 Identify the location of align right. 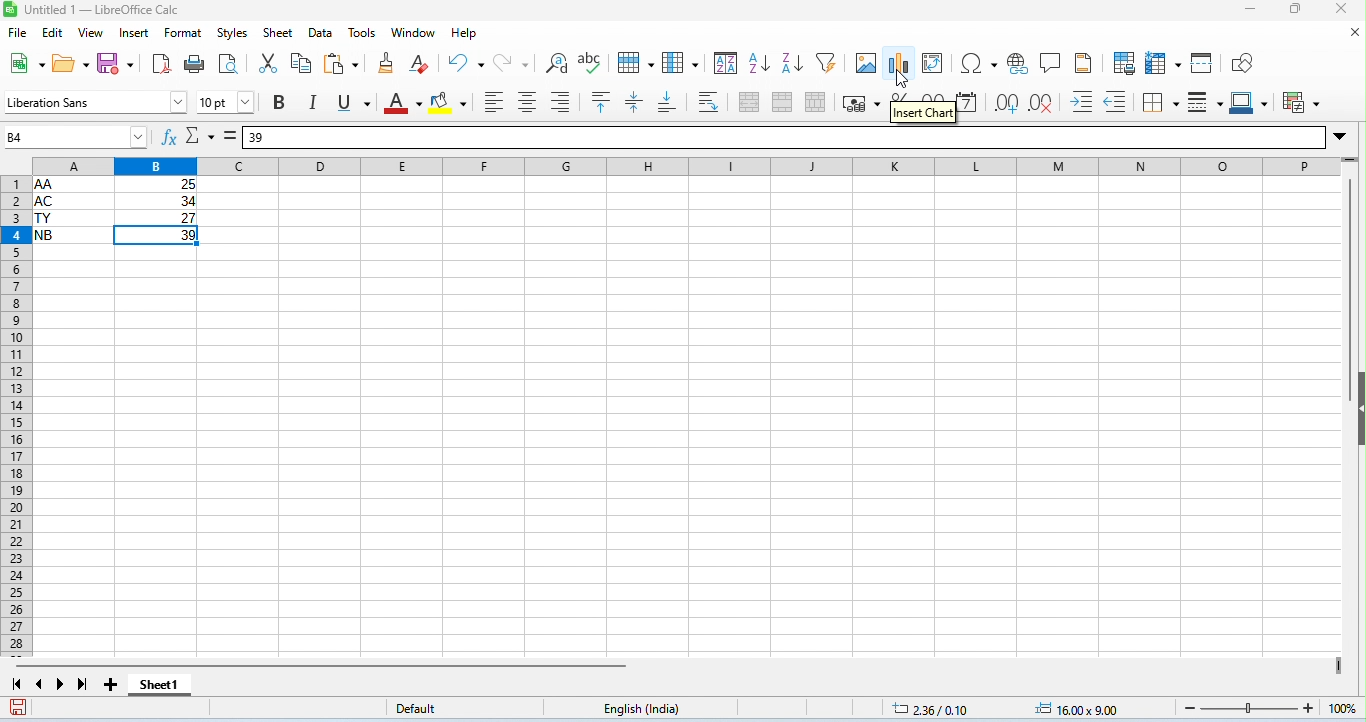
(562, 103).